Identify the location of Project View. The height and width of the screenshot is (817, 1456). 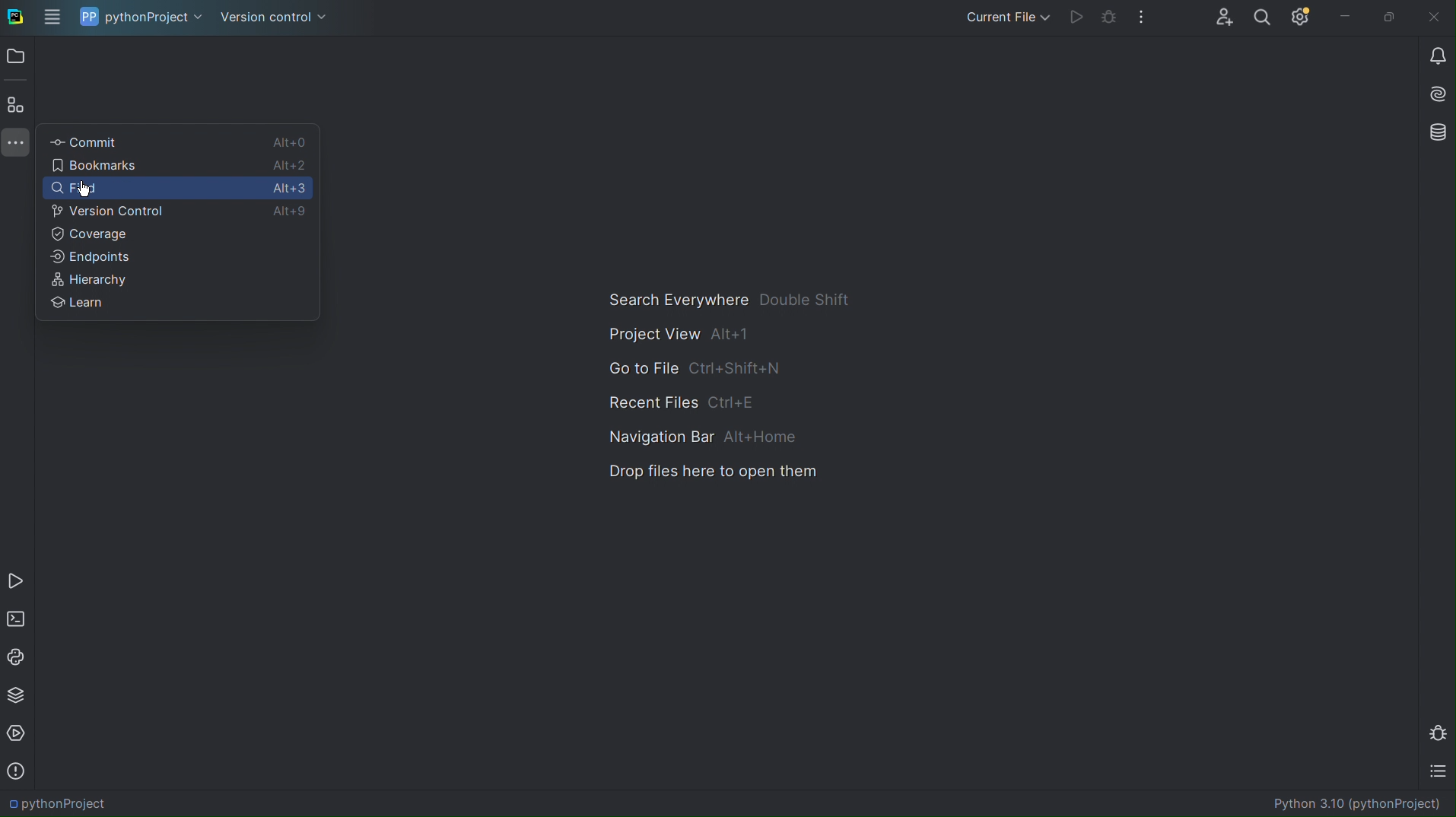
(678, 335).